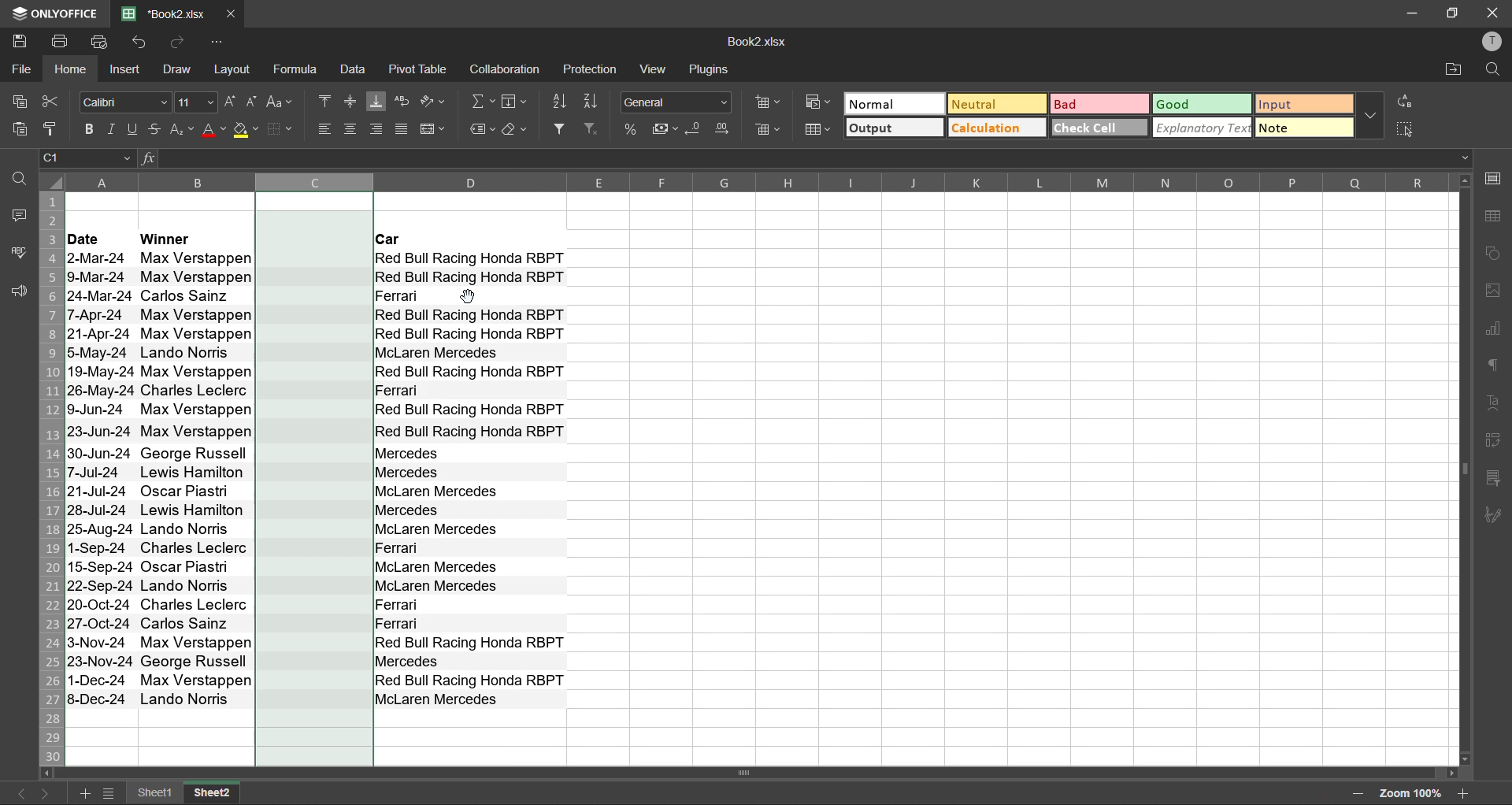  Describe the element at coordinates (55, 12) in the screenshot. I see `ONLYOFFICE` at that location.